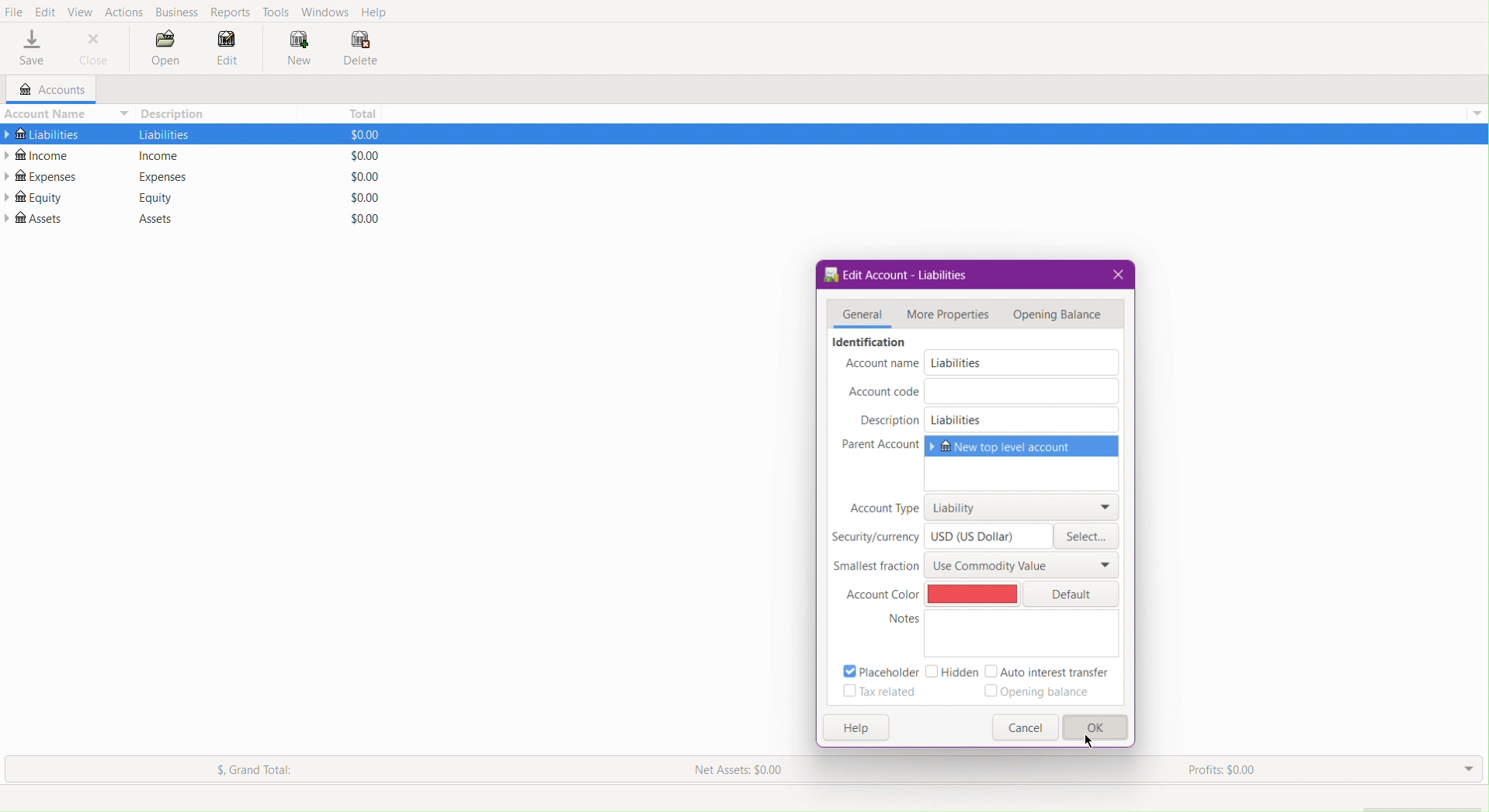  I want to click on $0.00, so click(358, 218).